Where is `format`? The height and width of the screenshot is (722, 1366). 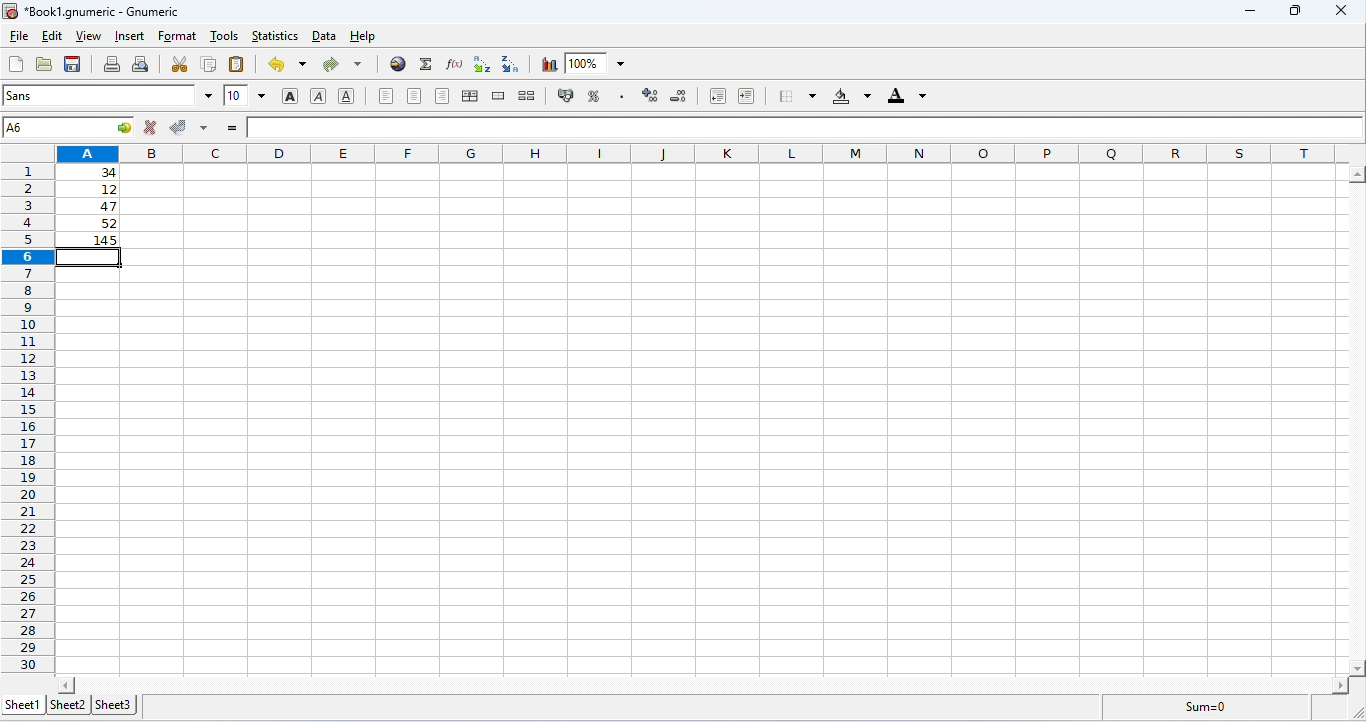 format is located at coordinates (177, 37).